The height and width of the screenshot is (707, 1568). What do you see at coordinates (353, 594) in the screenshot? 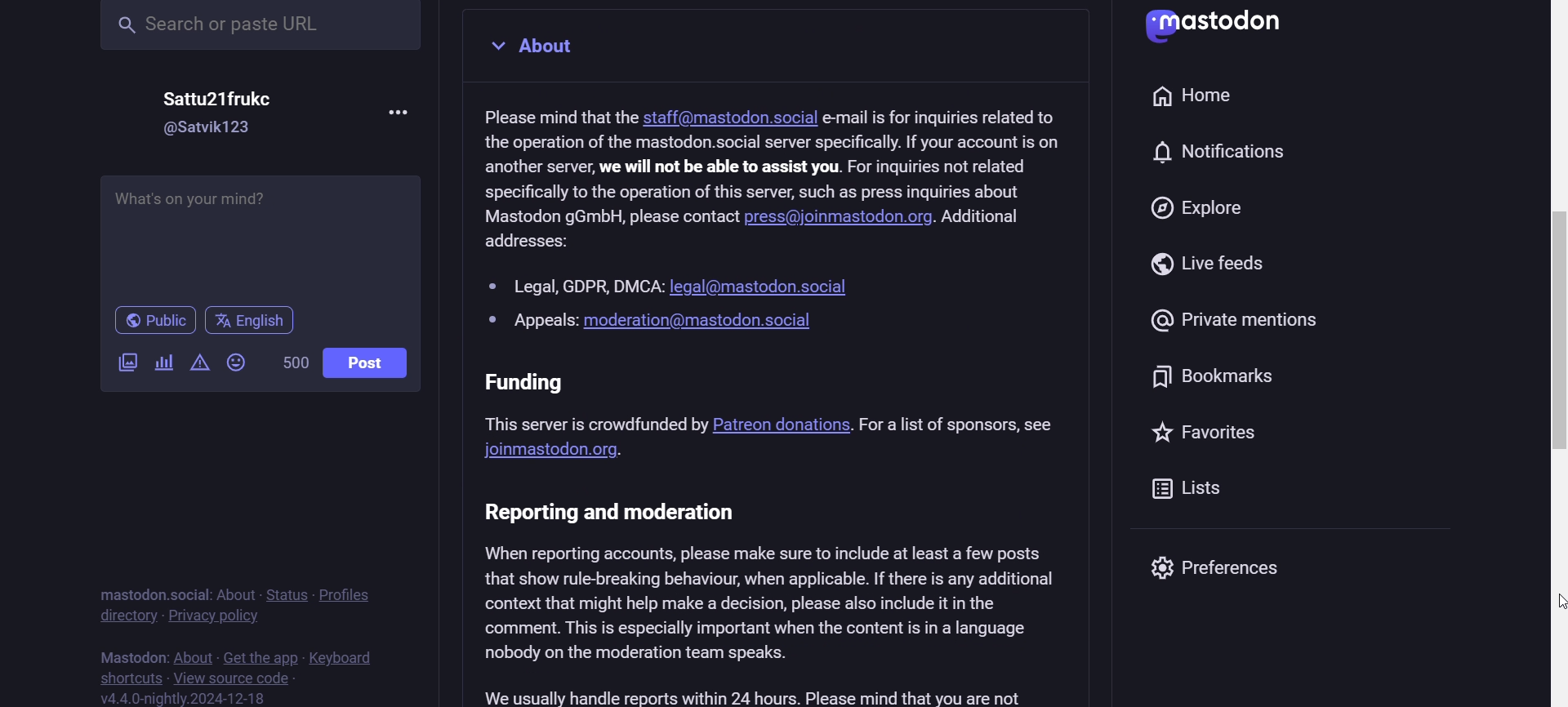
I see `profiles` at bounding box center [353, 594].